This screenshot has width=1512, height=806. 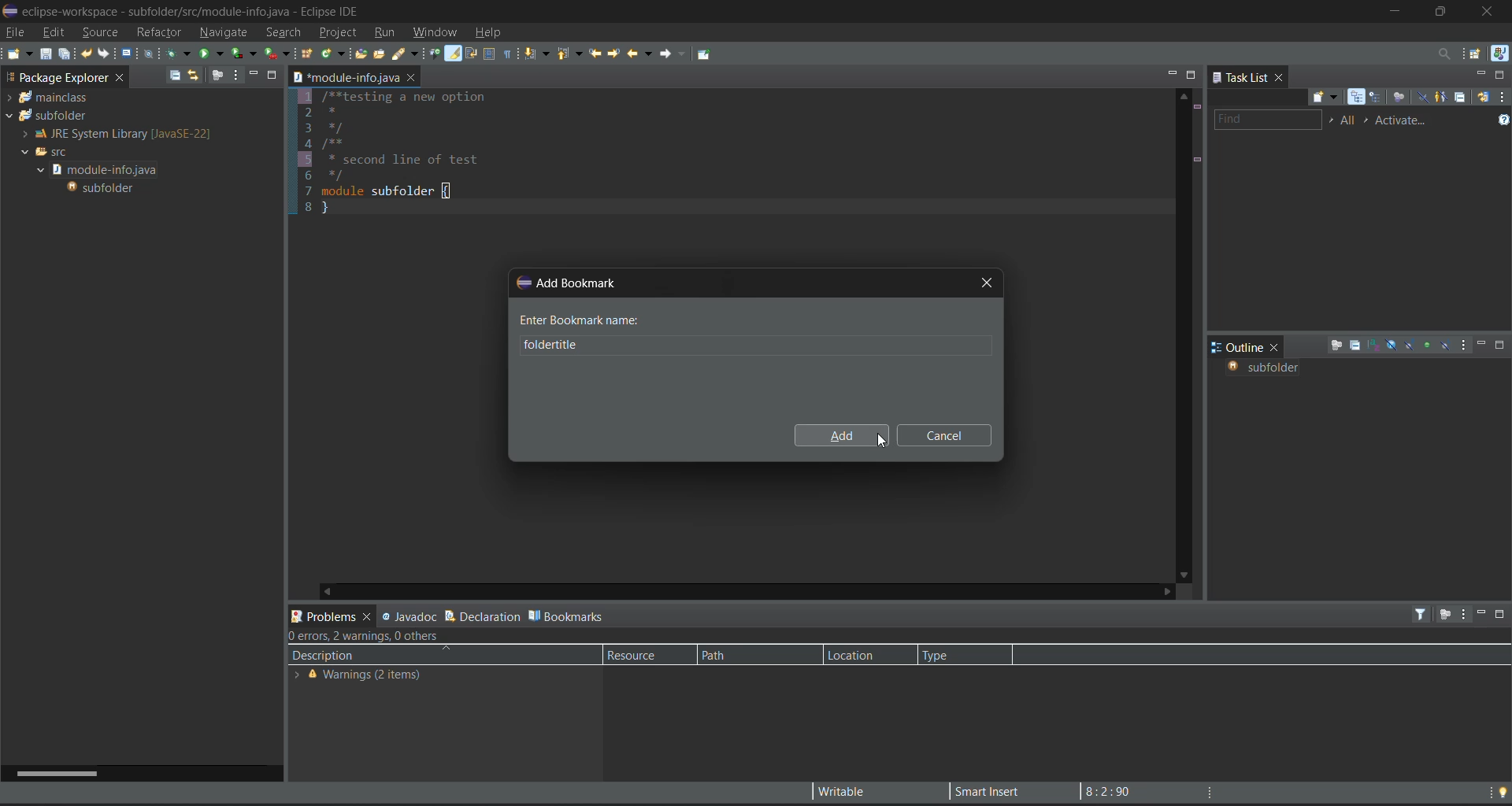 I want to click on java, so click(x=1499, y=54).